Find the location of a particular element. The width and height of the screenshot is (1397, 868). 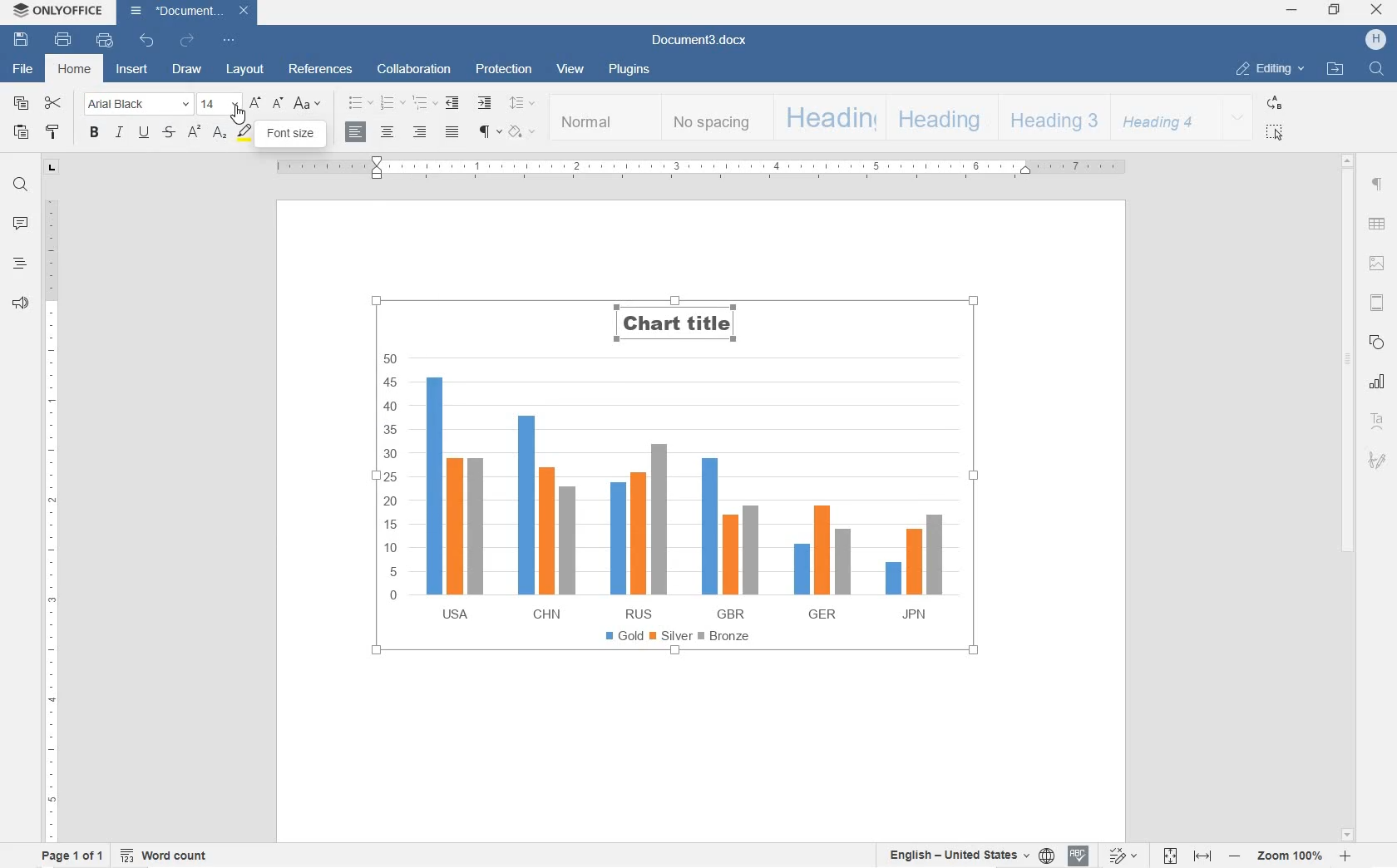

COPY is located at coordinates (20, 104).